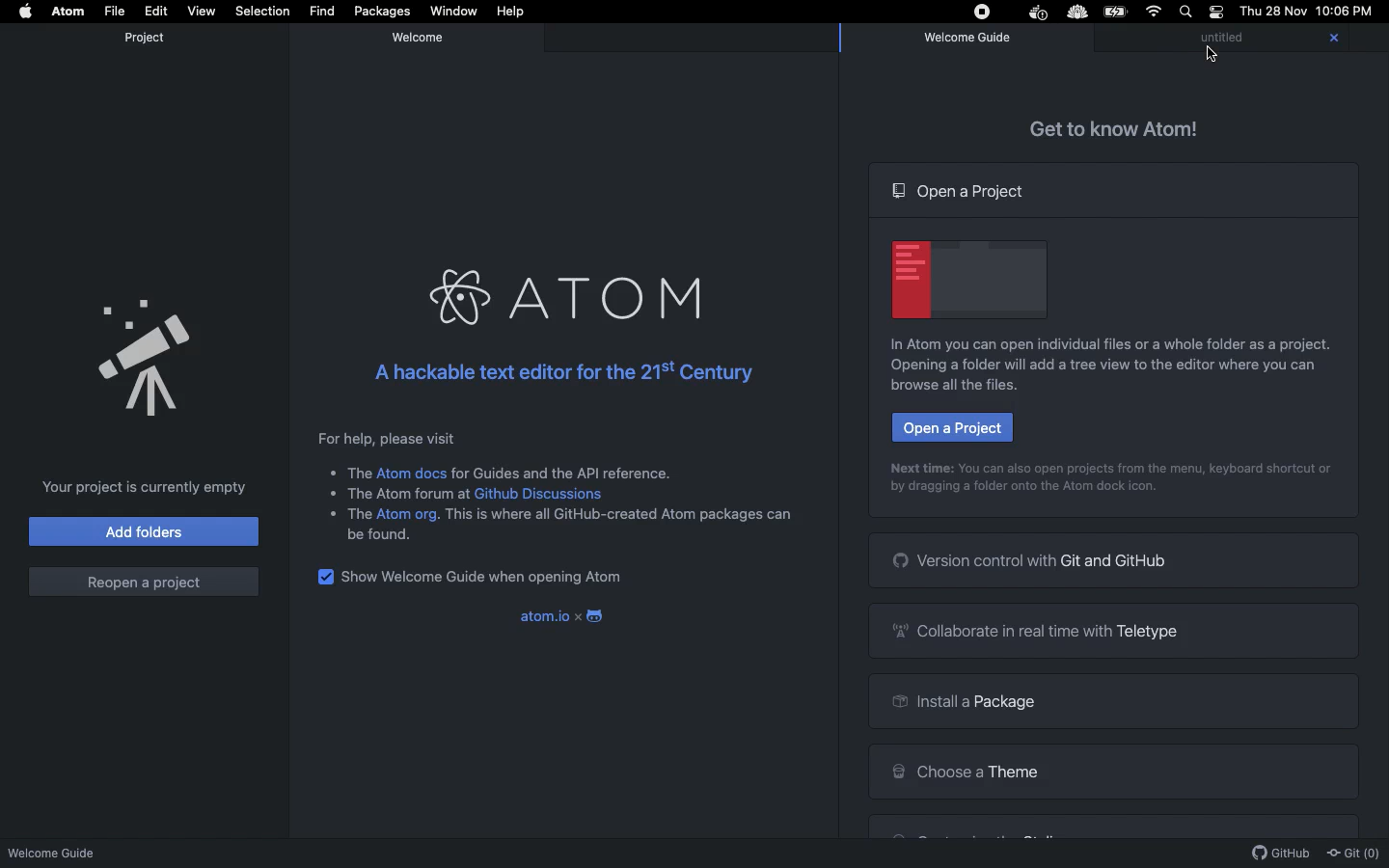  What do you see at coordinates (382, 439) in the screenshot?
I see `Descriptive text` at bounding box center [382, 439].